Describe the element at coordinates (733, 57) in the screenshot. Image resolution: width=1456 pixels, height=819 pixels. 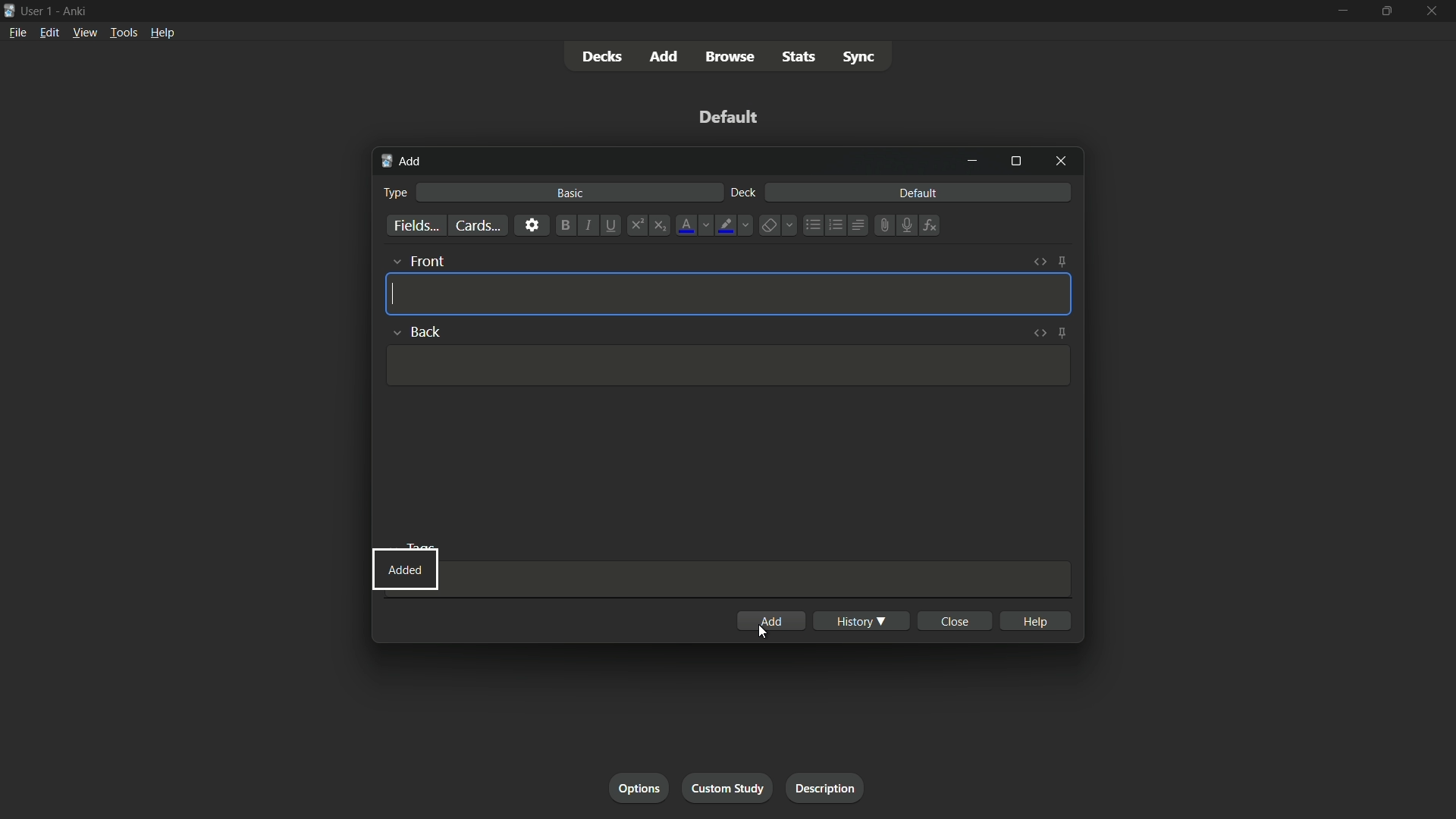
I see `browse` at that location.